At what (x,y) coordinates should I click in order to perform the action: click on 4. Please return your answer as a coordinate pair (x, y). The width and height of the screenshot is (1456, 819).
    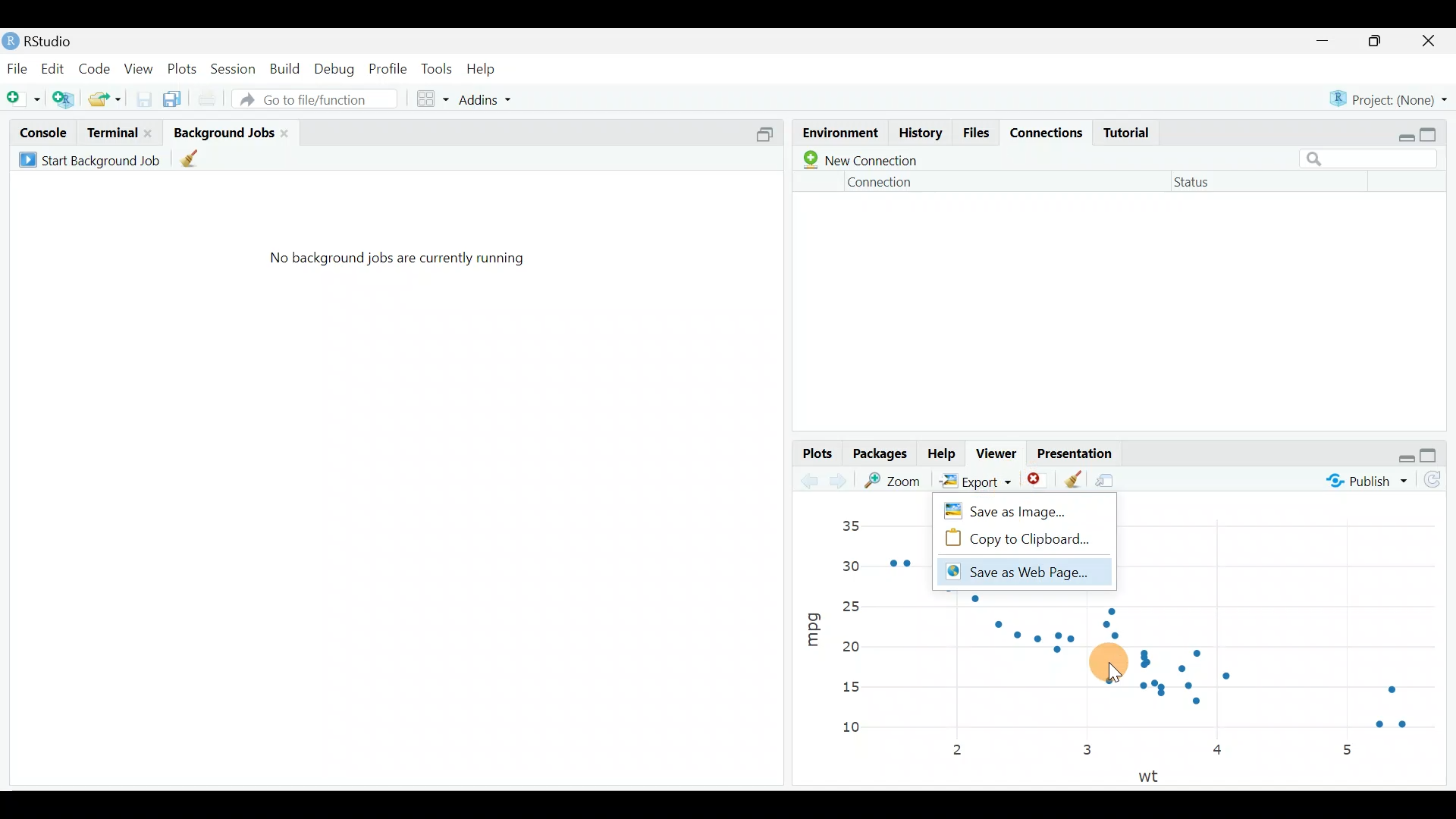
    Looking at the image, I should click on (1220, 752).